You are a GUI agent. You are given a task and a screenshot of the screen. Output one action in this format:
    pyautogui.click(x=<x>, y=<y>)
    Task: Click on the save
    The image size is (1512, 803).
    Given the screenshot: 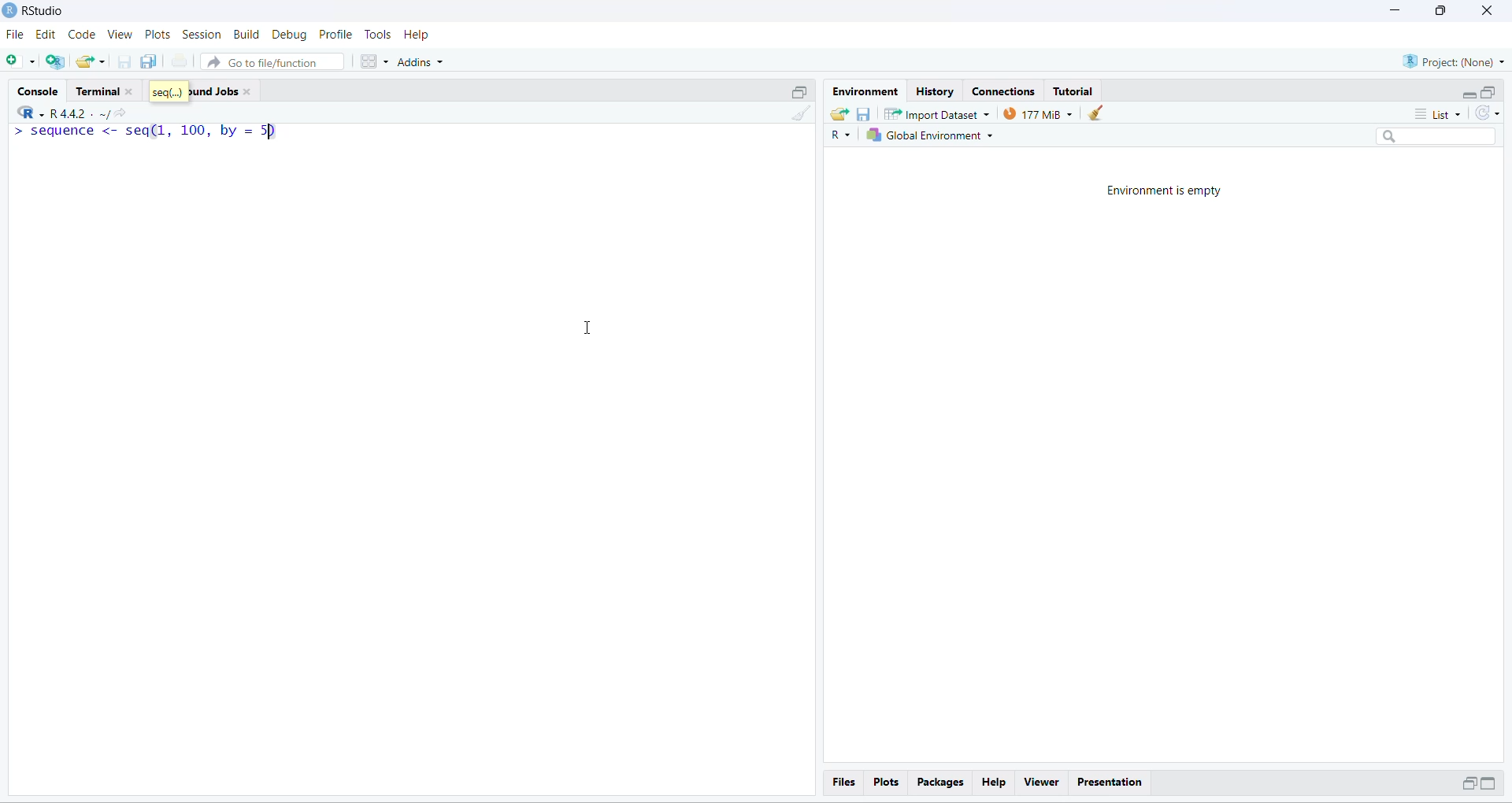 What is the action you would take?
    pyautogui.click(x=126, y=61)
    